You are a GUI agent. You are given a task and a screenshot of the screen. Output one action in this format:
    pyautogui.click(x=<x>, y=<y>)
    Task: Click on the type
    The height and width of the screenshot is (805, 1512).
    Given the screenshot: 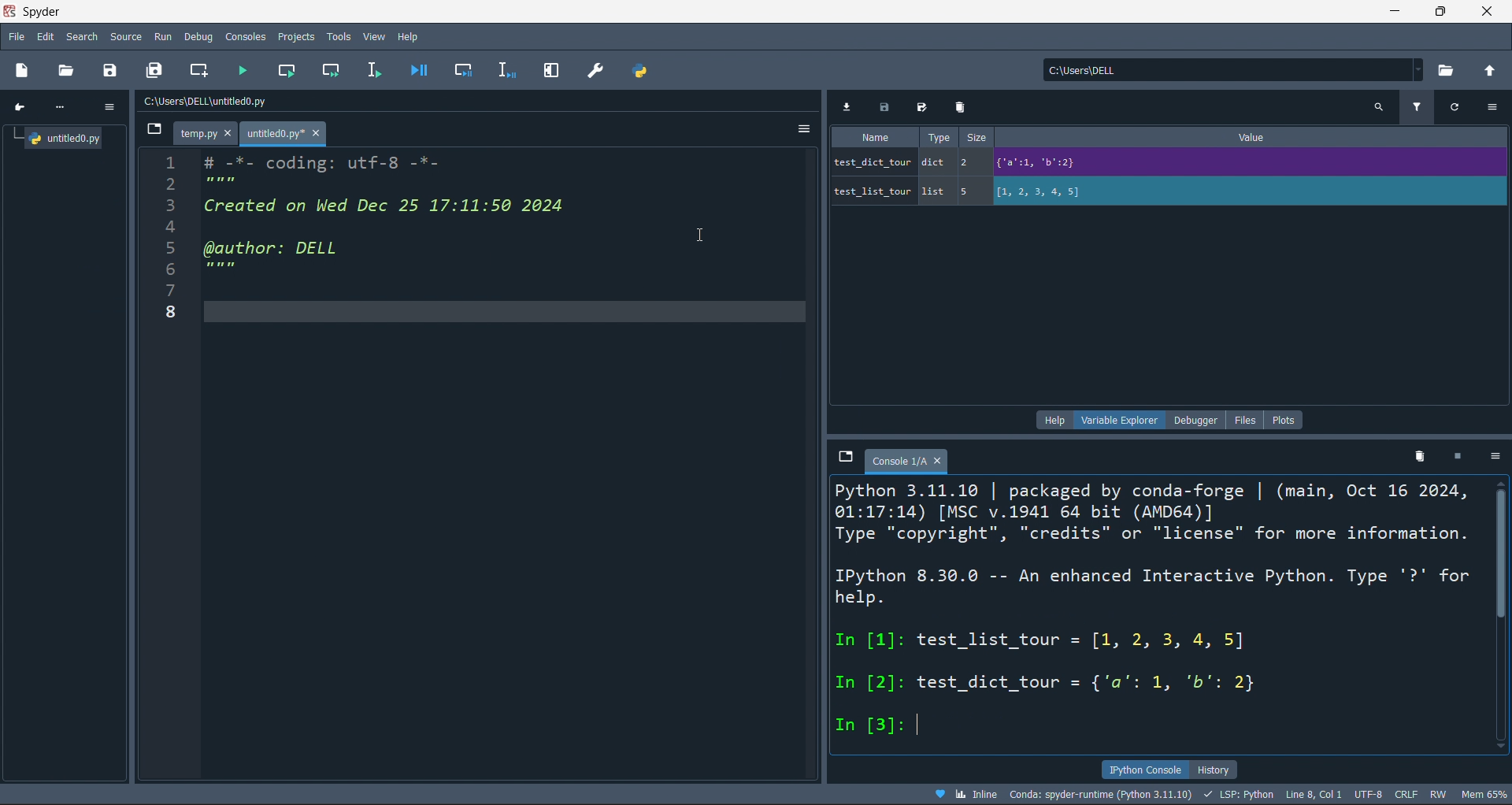 What is the action you would take?
    pyautogui.click(x=941, y=137)
    